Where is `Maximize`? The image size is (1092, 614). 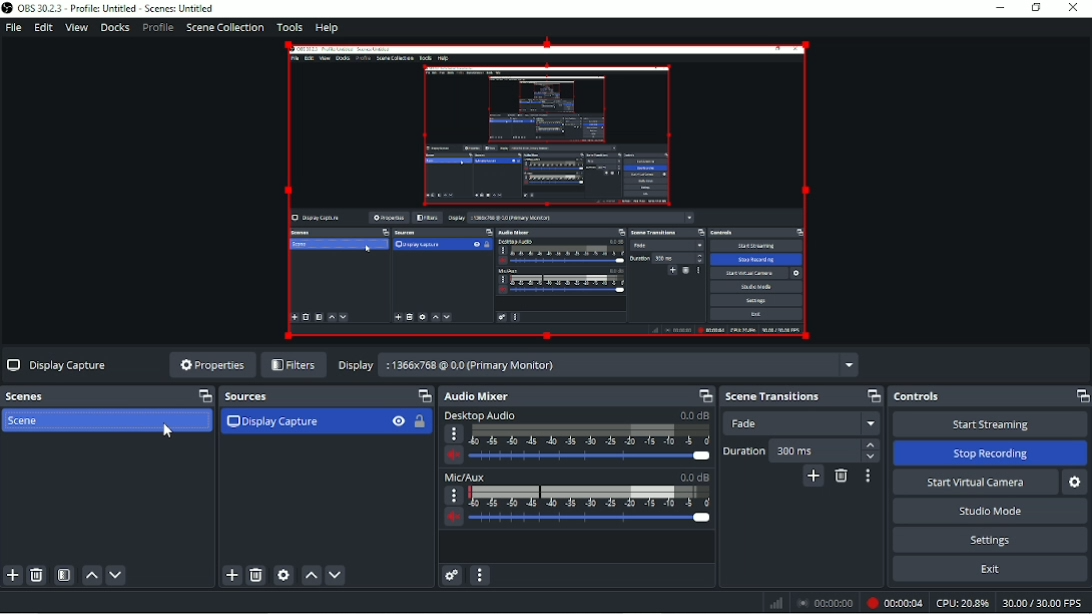
Maximize is located at coordinates (874, 394).